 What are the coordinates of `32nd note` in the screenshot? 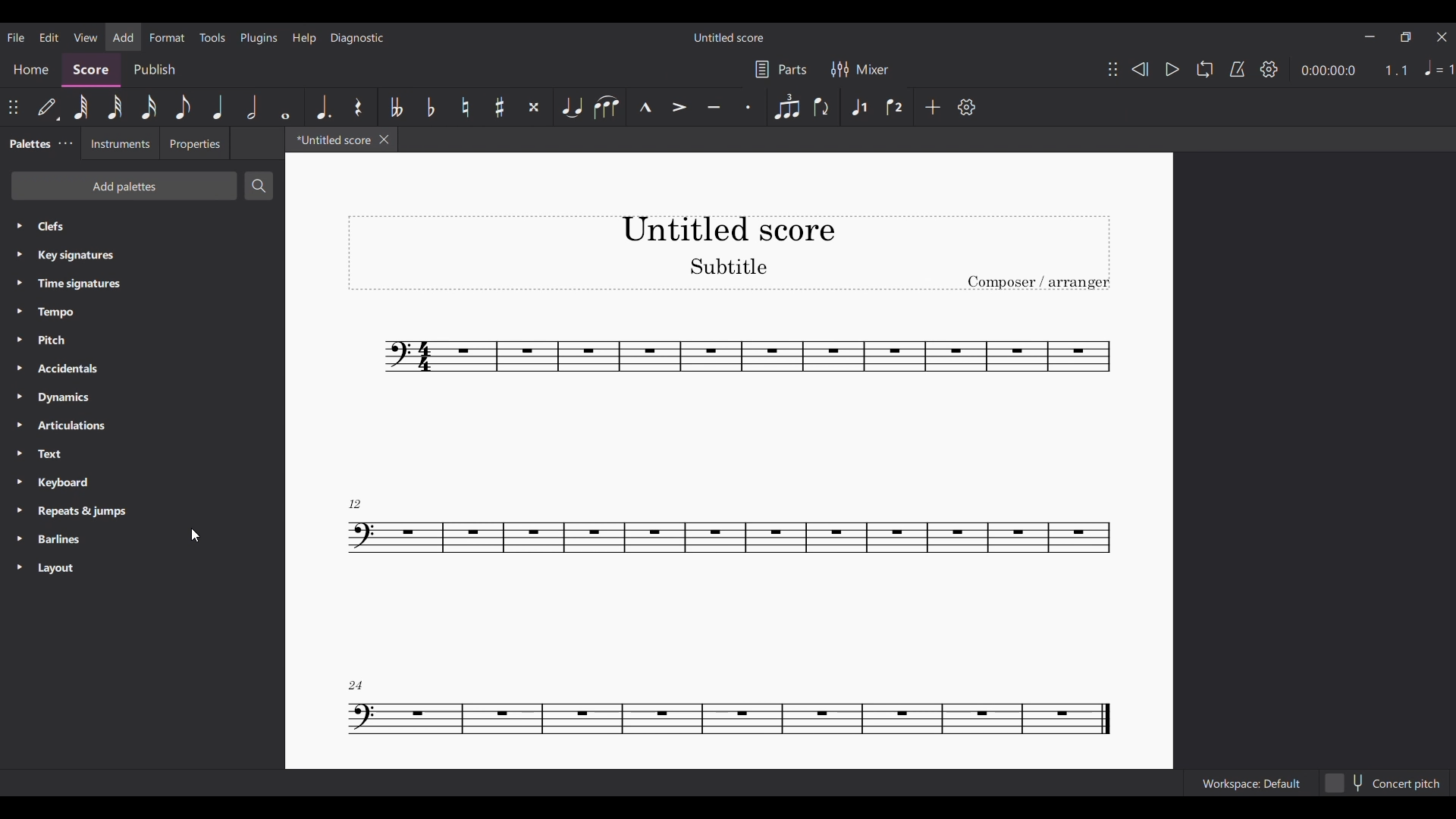 It's located at (863, 108).